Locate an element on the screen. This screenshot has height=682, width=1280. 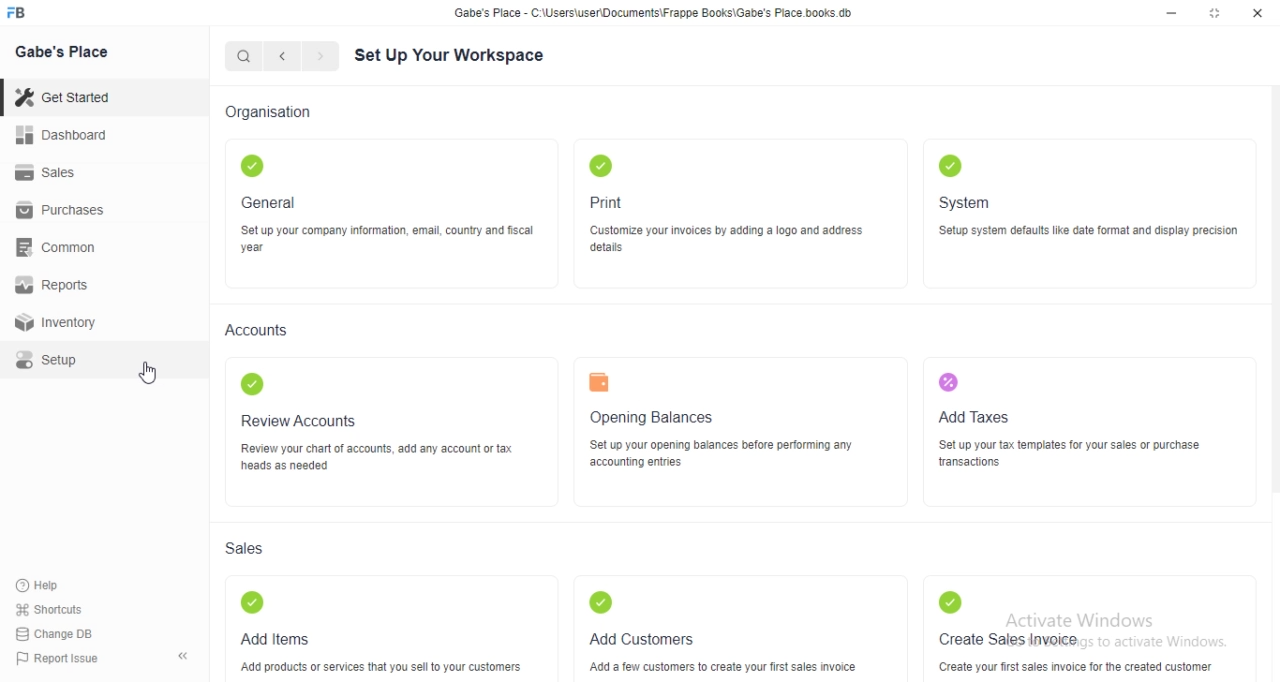
Cursor is located at coordinates (158, 373).